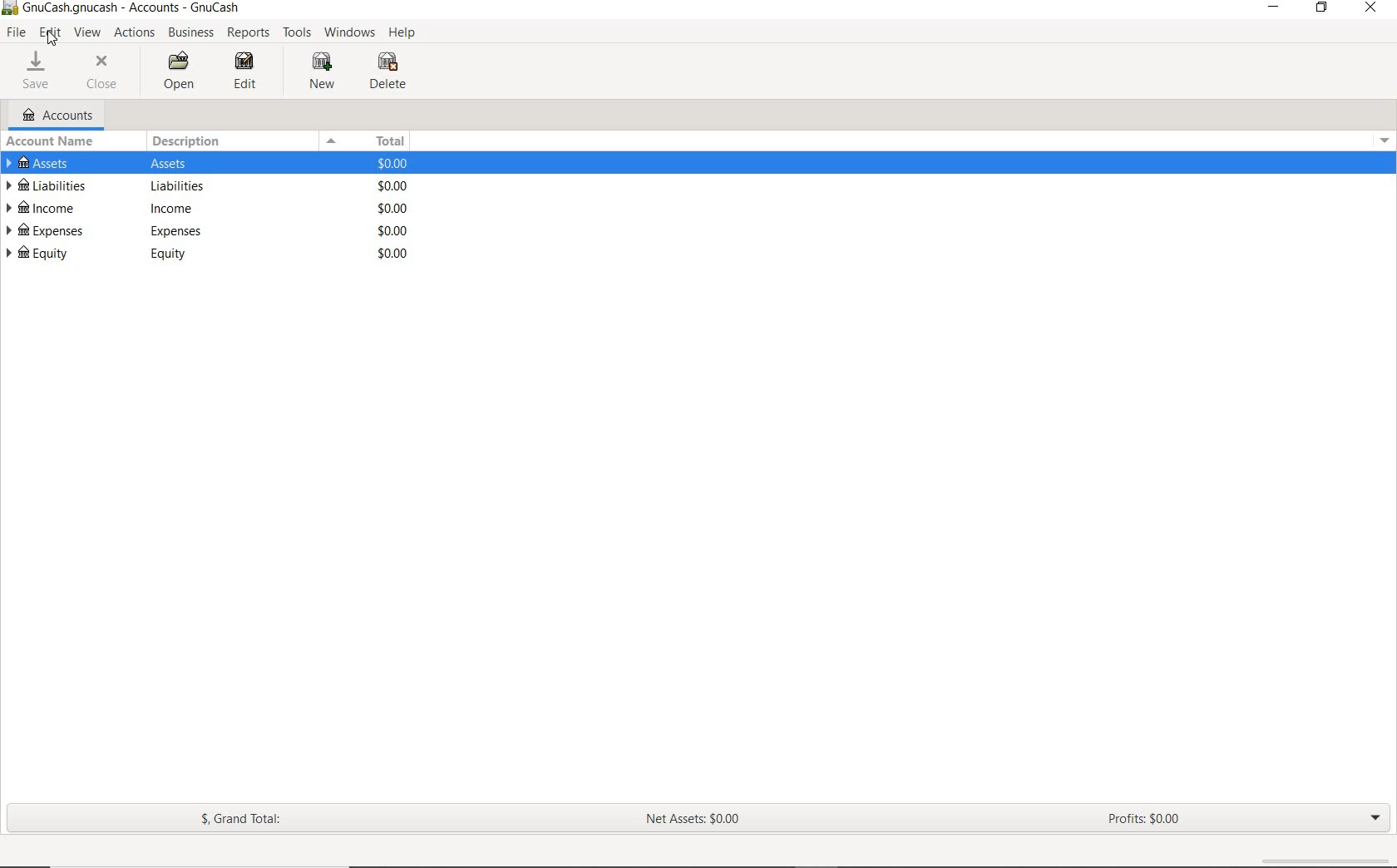 The width and height of the screenshot is (1397, 868). Describe the element at coordinates (220, 230) in the screenshot. I see `EXPENSES` at that location.